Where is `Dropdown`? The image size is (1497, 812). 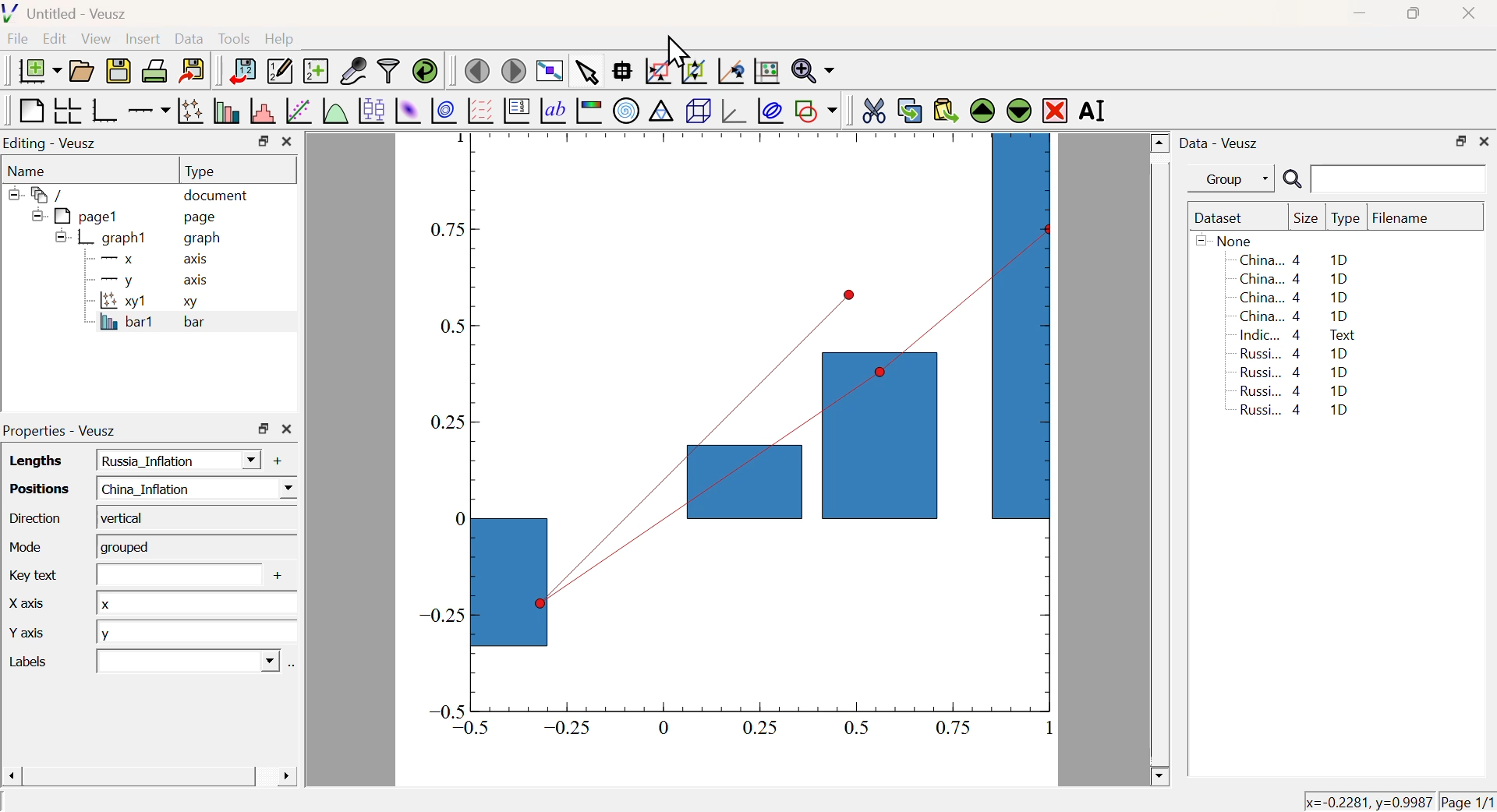 Dropdown is located at coordinates (179, 661).